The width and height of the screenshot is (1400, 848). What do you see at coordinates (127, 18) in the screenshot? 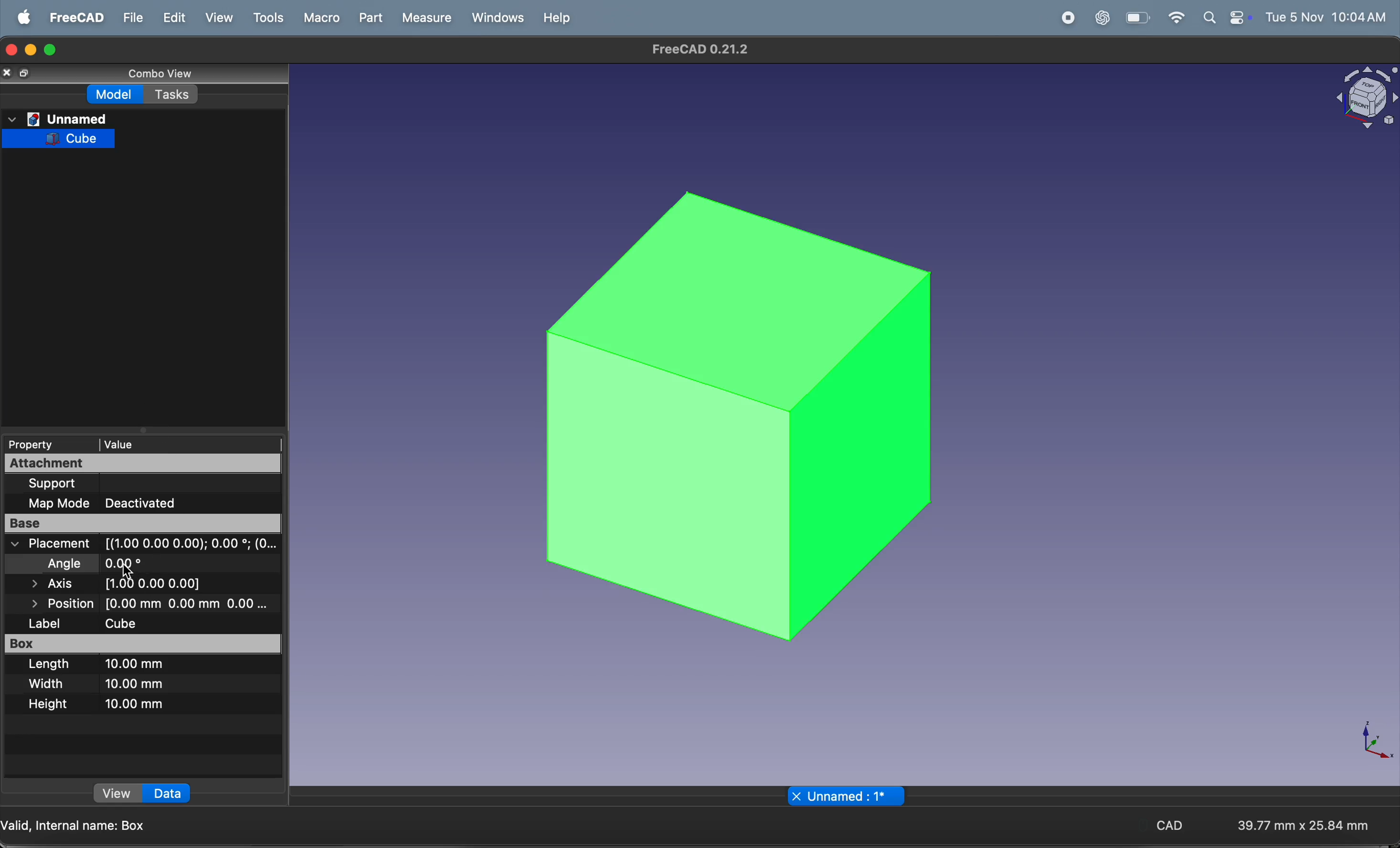
I see `file` at bounding box center [127, 18].